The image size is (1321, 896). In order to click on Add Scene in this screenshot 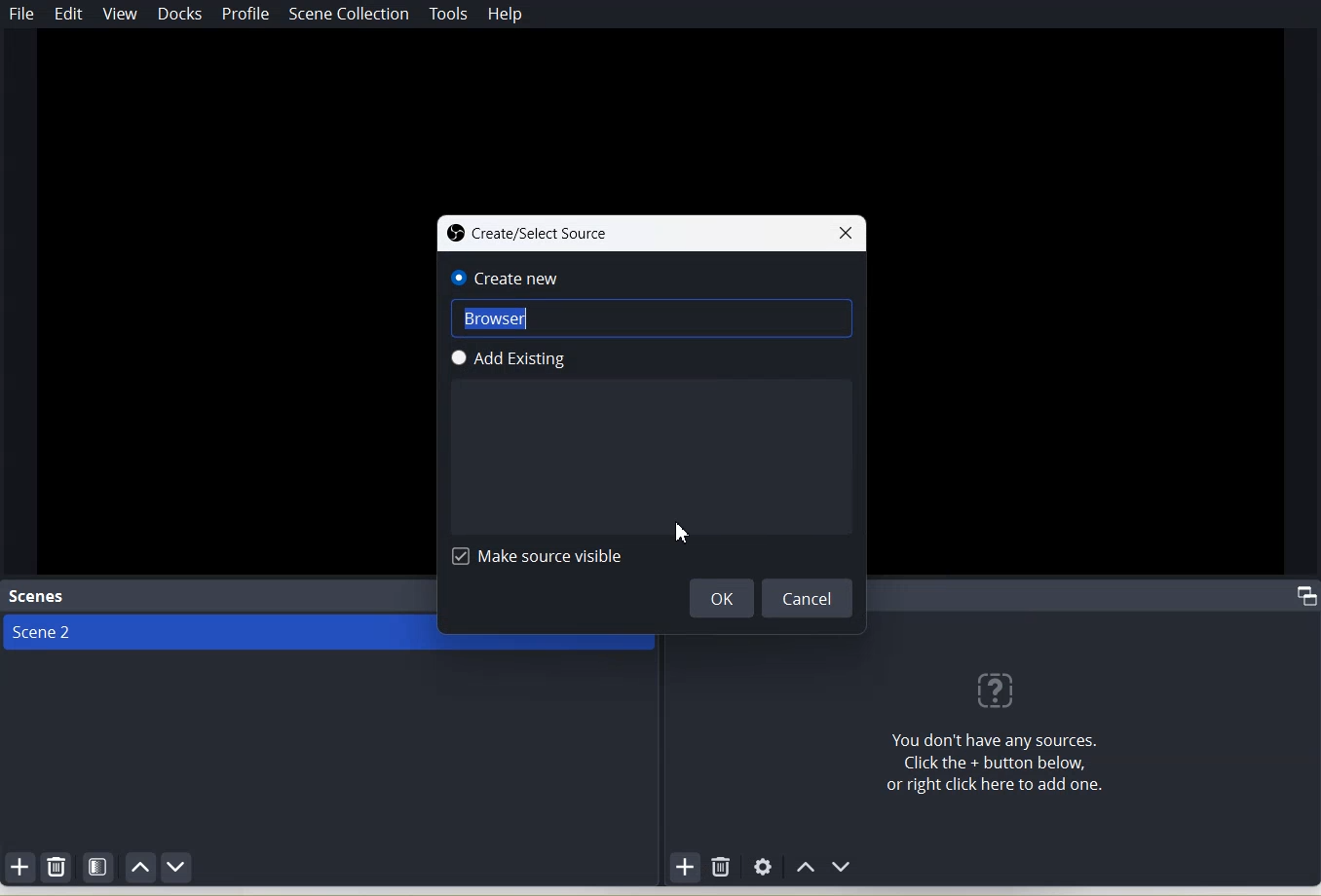, I will do `click(19, 866)`.